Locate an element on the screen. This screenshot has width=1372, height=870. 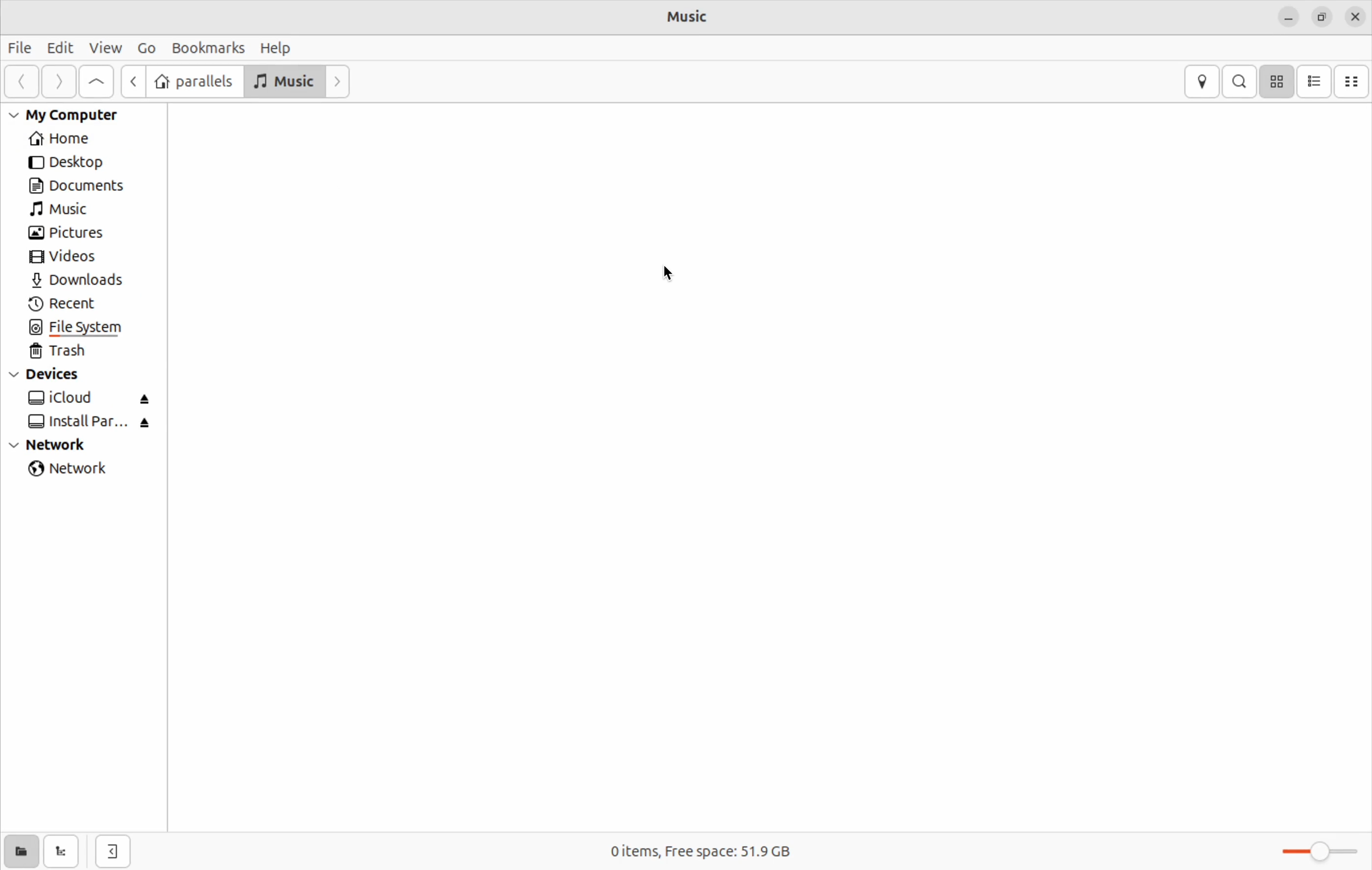
show tree view is located at coordinates (64, 851).